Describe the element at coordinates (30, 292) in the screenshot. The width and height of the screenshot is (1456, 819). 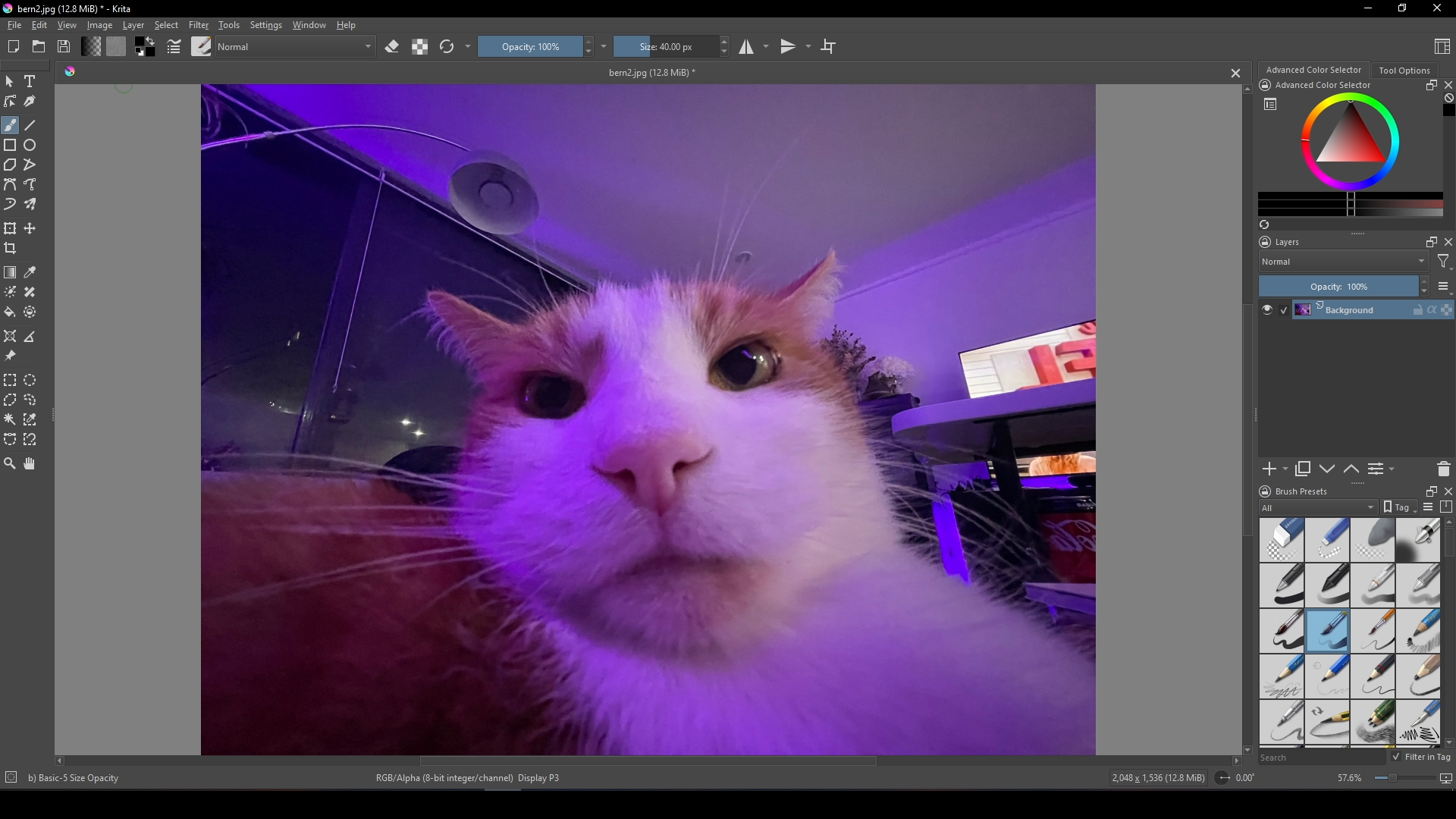
I see `Smart patch tool` at that location.